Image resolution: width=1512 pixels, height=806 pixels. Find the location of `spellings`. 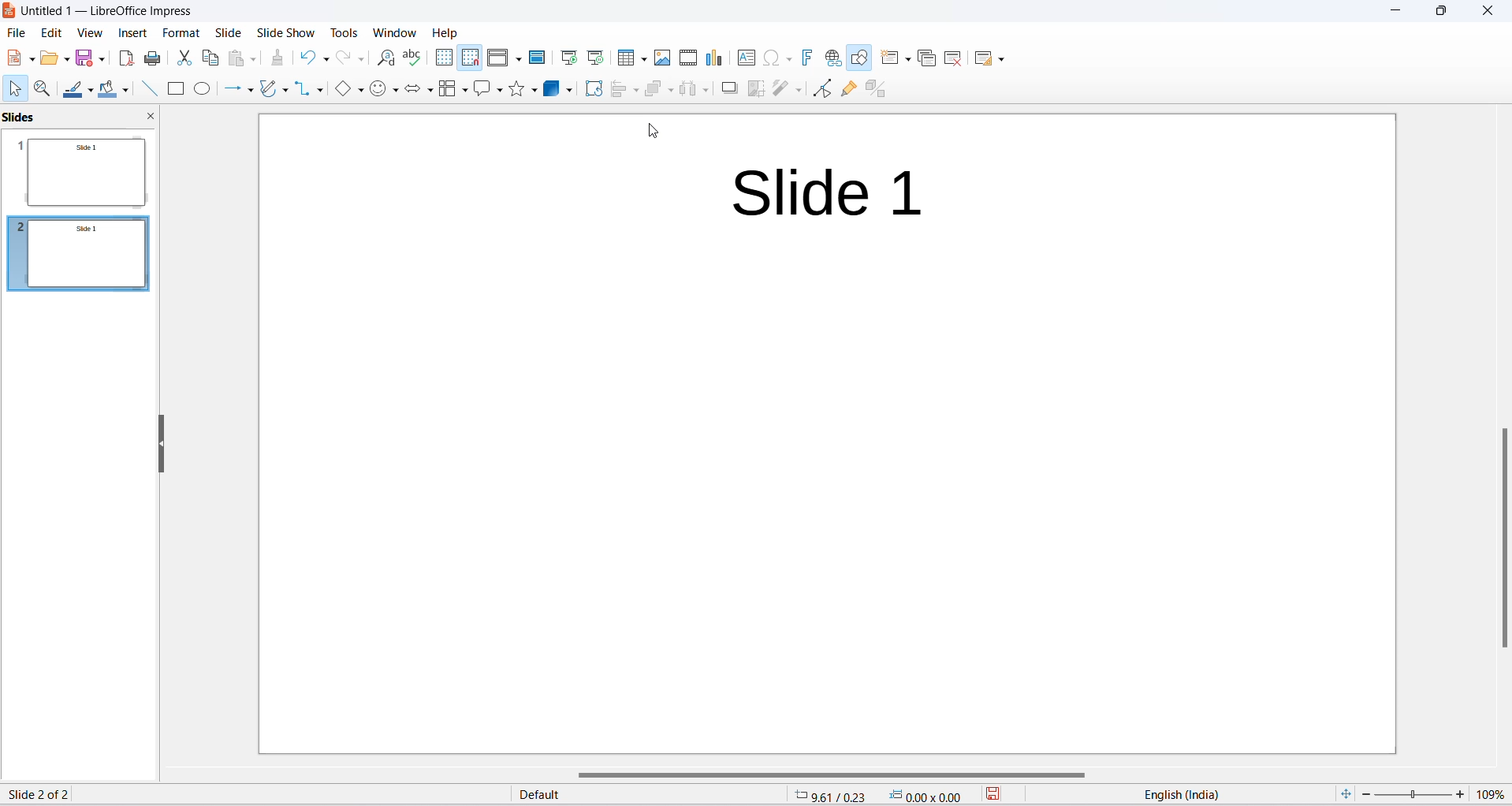

spellings is located at coordinates (412, 58).